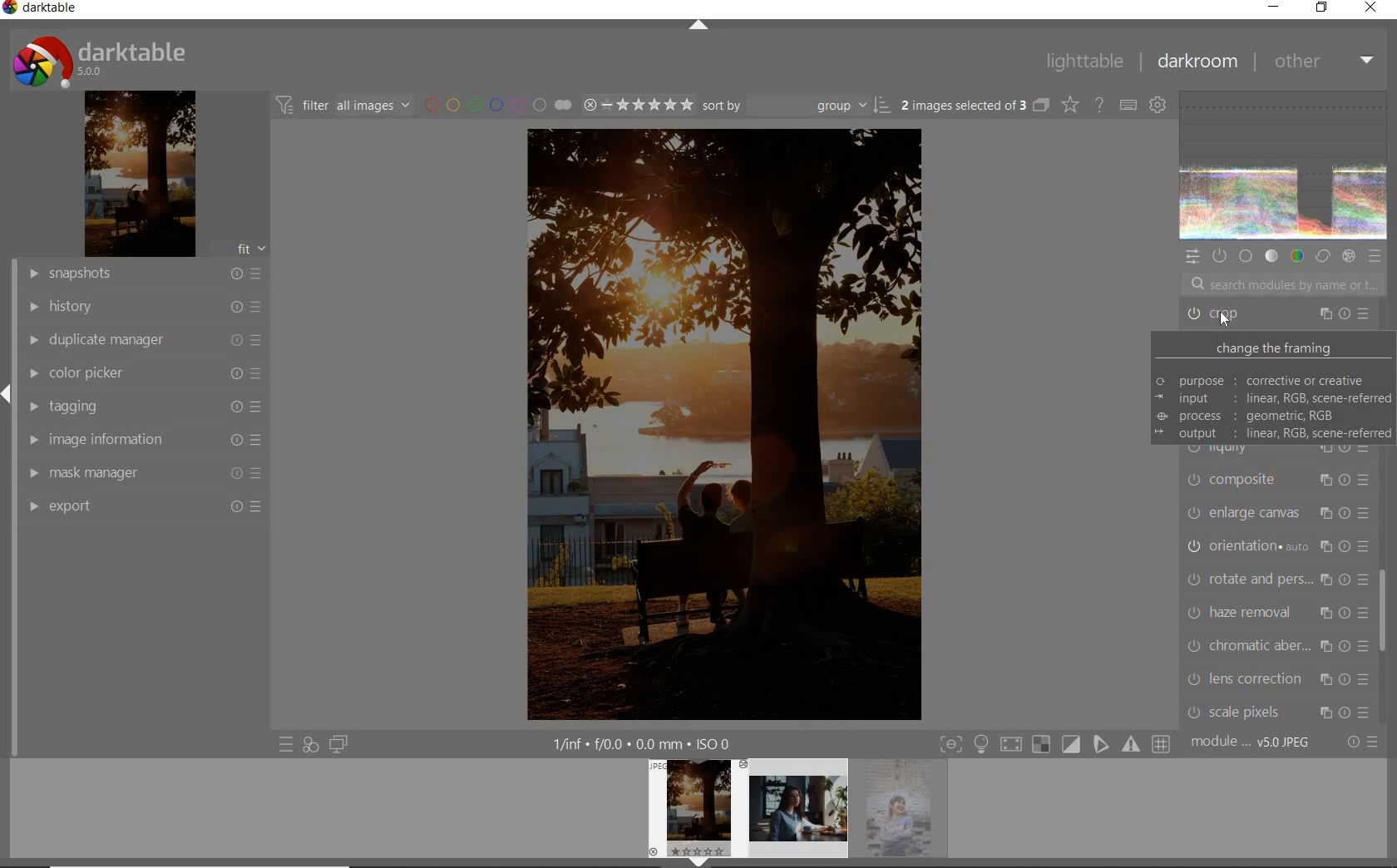  Describe the element at coordinates (311, 746) in the screenshot. I see `quick access for applying any of your style` at that location.